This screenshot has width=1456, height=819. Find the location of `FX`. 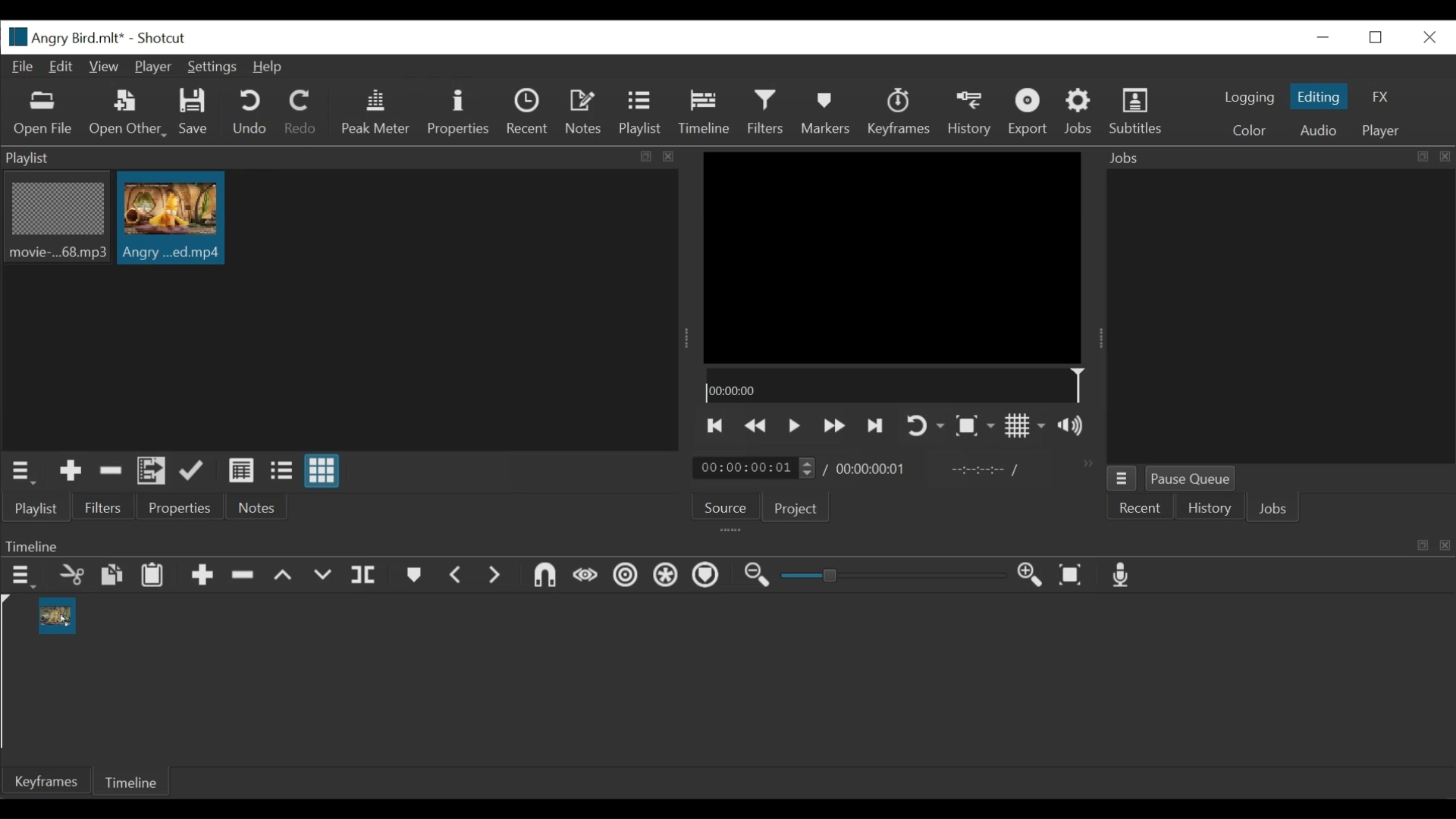

FX is located at coordinates (1382, 96).